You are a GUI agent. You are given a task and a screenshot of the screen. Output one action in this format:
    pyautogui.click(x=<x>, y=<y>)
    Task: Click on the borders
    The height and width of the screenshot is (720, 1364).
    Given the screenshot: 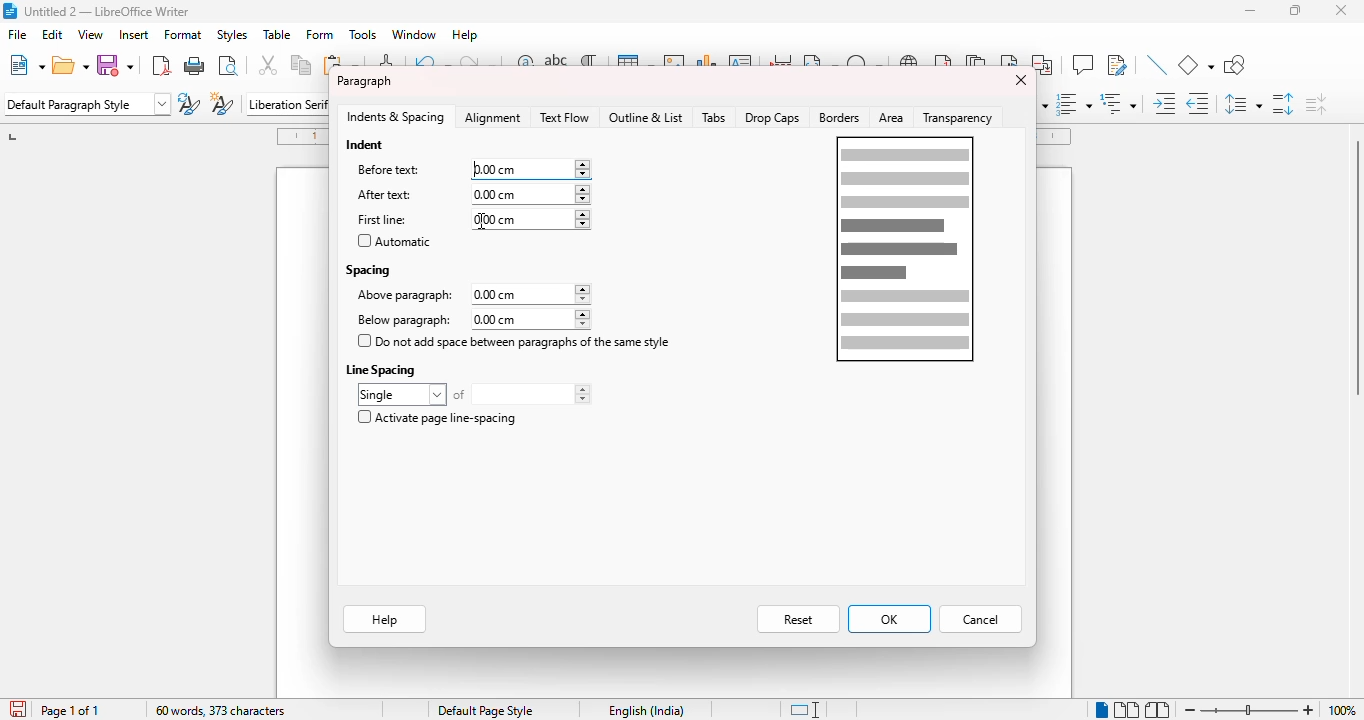 What is the action you would take?
    pyautogui.click(x=840, y=118)
    